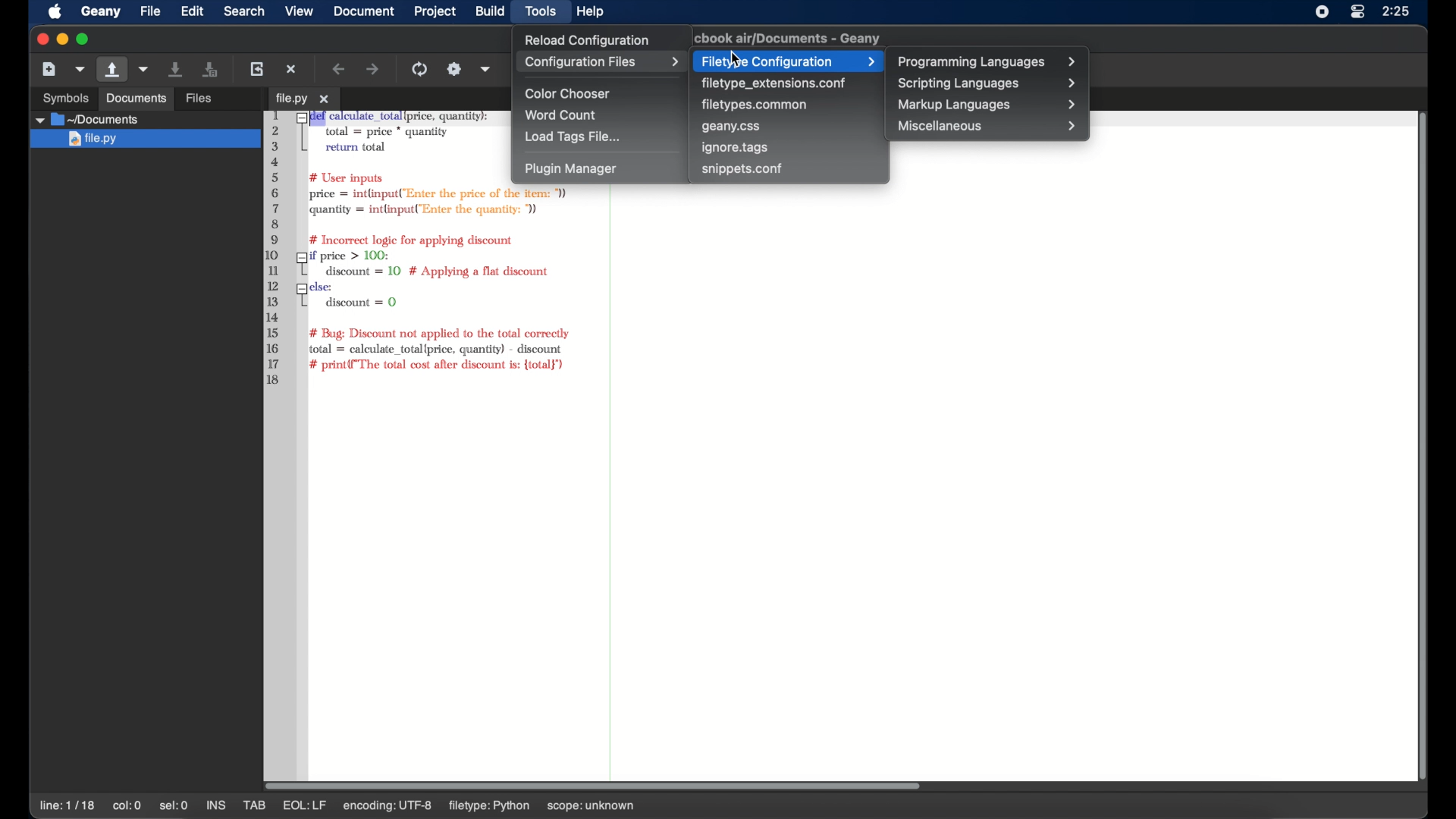  What do you see at coordinates (303, 99) in the screenshot?
I see `tab` at bounding box center [303, 99].